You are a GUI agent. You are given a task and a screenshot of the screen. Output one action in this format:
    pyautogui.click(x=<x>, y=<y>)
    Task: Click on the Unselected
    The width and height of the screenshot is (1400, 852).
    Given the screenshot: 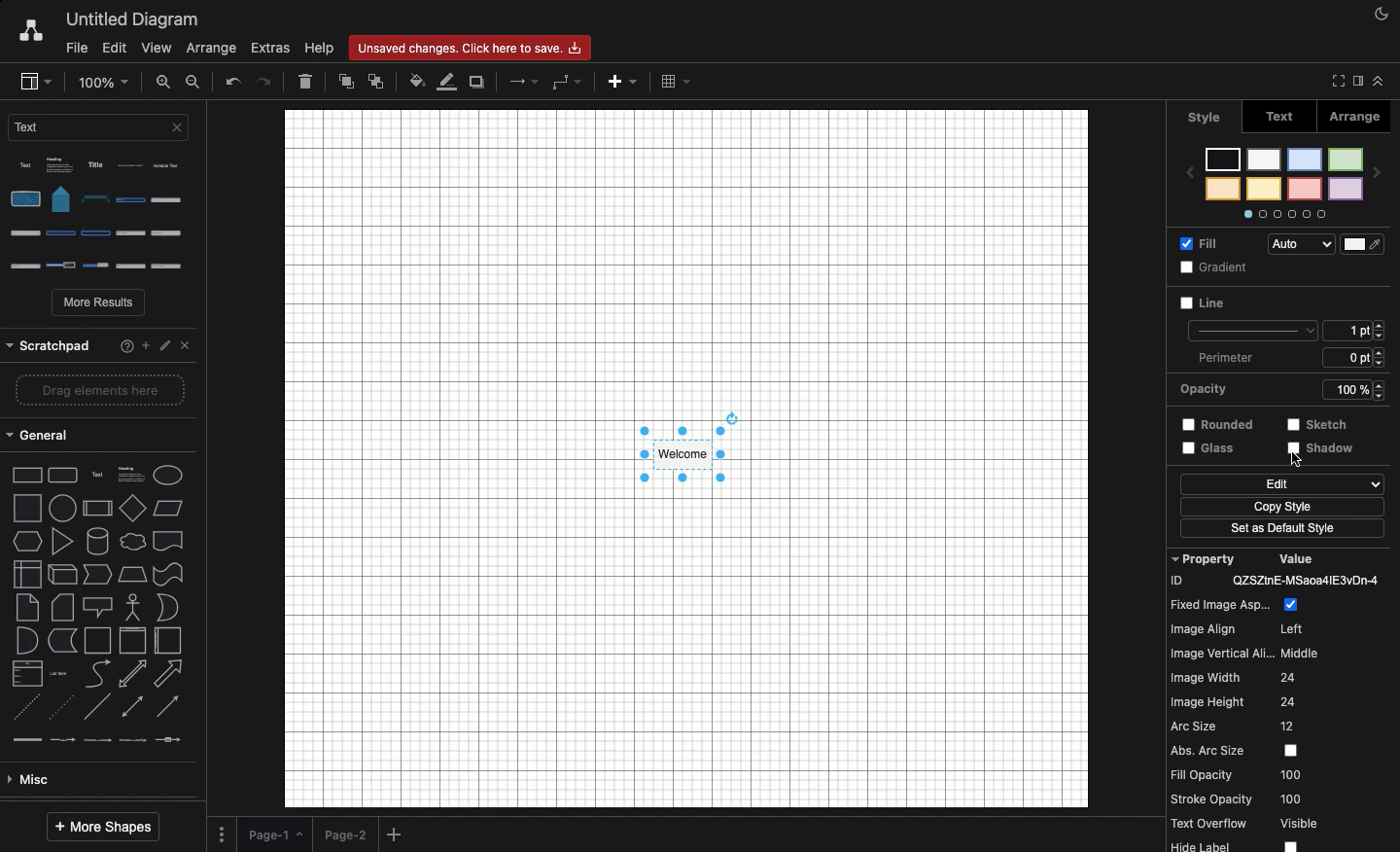 What is the action you would take?
    pyautogui.click(x=1204, y=307)
    